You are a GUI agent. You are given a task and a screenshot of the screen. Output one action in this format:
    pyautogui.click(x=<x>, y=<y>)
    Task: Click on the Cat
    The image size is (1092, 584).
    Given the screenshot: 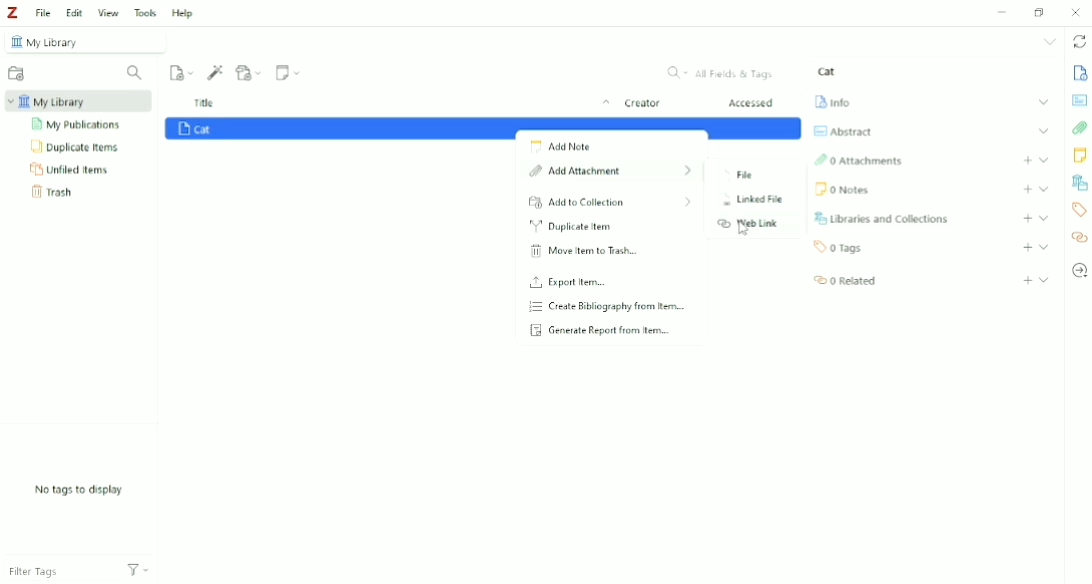 What is the action you would take?
    pyautogui.click(x=195, y=129)
    